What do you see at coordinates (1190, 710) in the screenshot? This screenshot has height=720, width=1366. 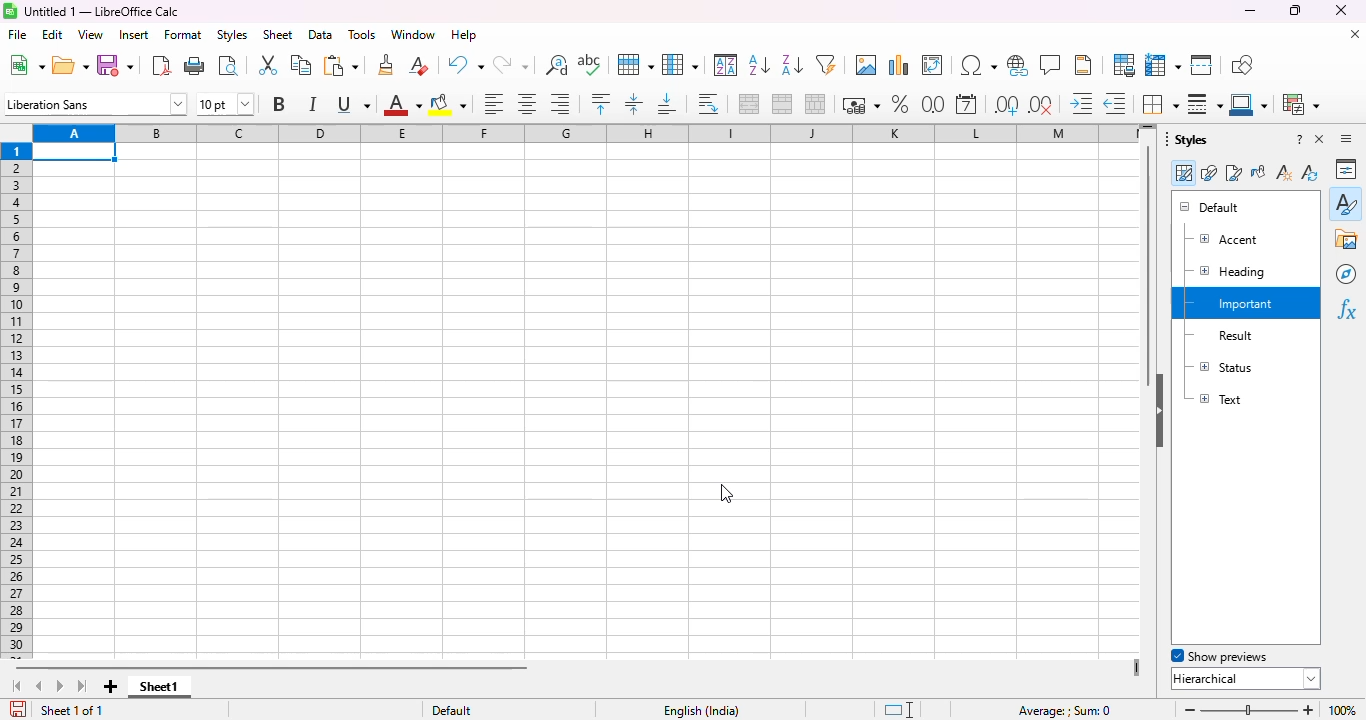 I see `zoom out` at bounding box center [1190, 710].